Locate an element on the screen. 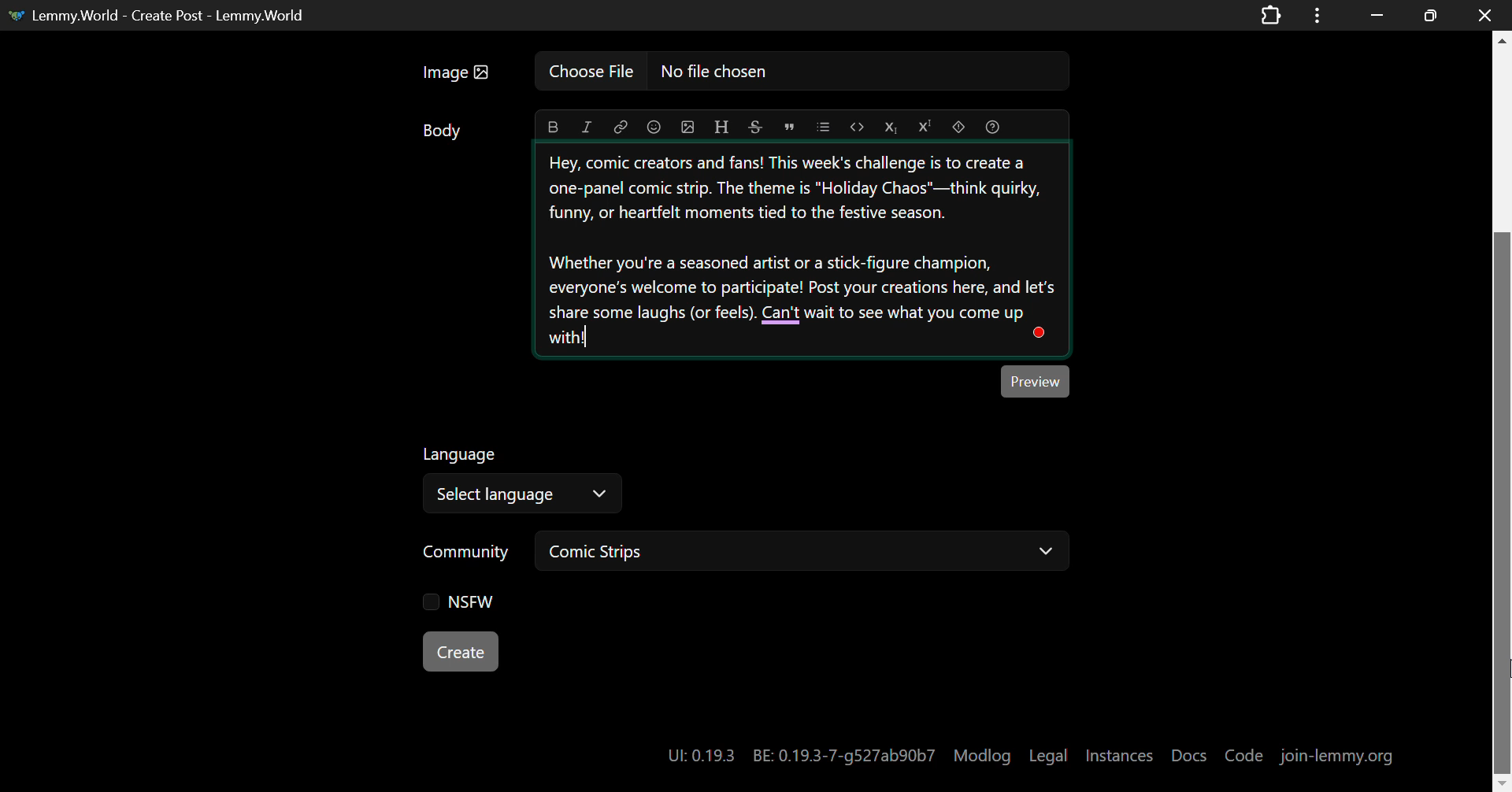  Code is located at coordinates (855, 127).